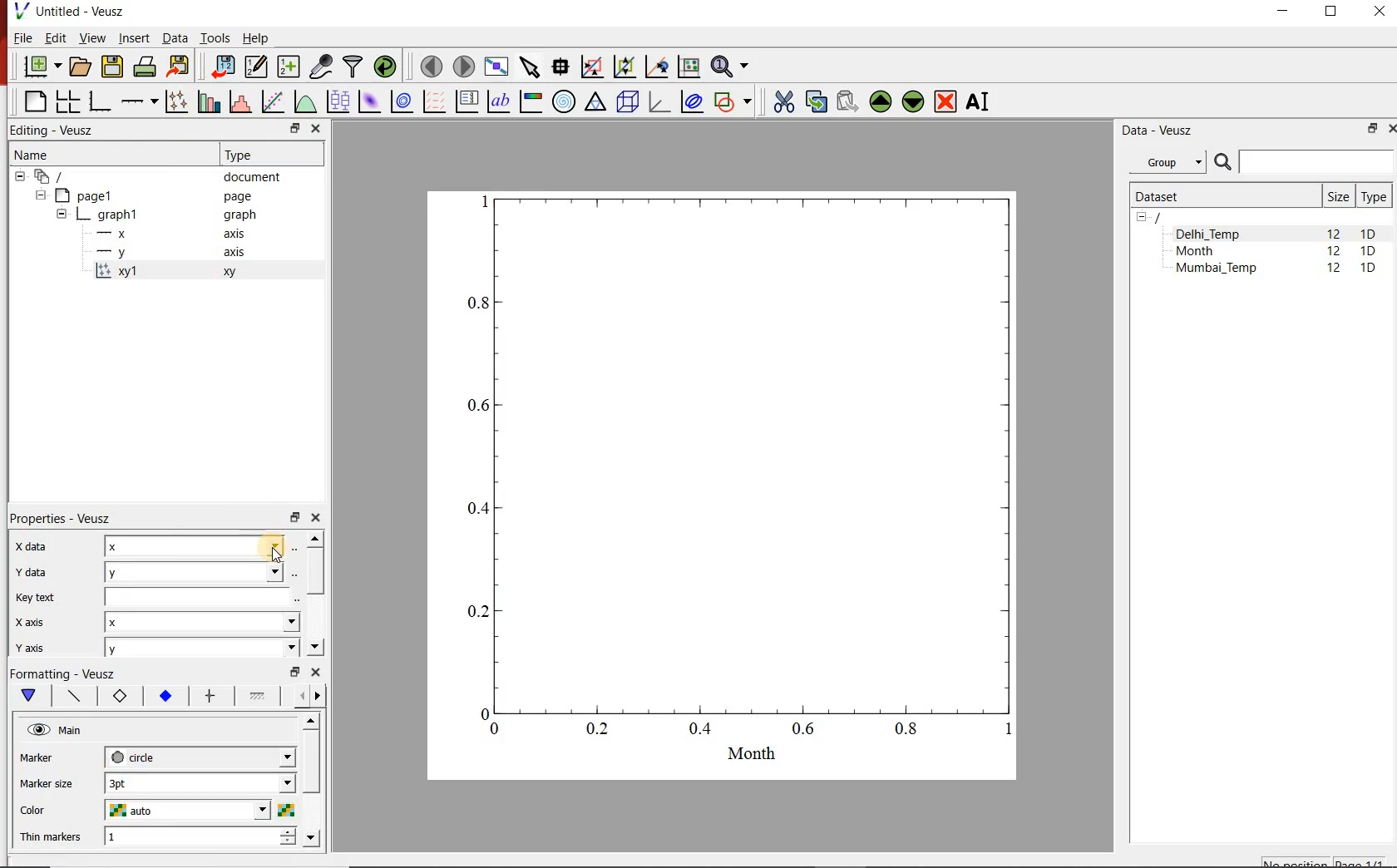  I want to click on histogram of a dataset, so click(239, 101).